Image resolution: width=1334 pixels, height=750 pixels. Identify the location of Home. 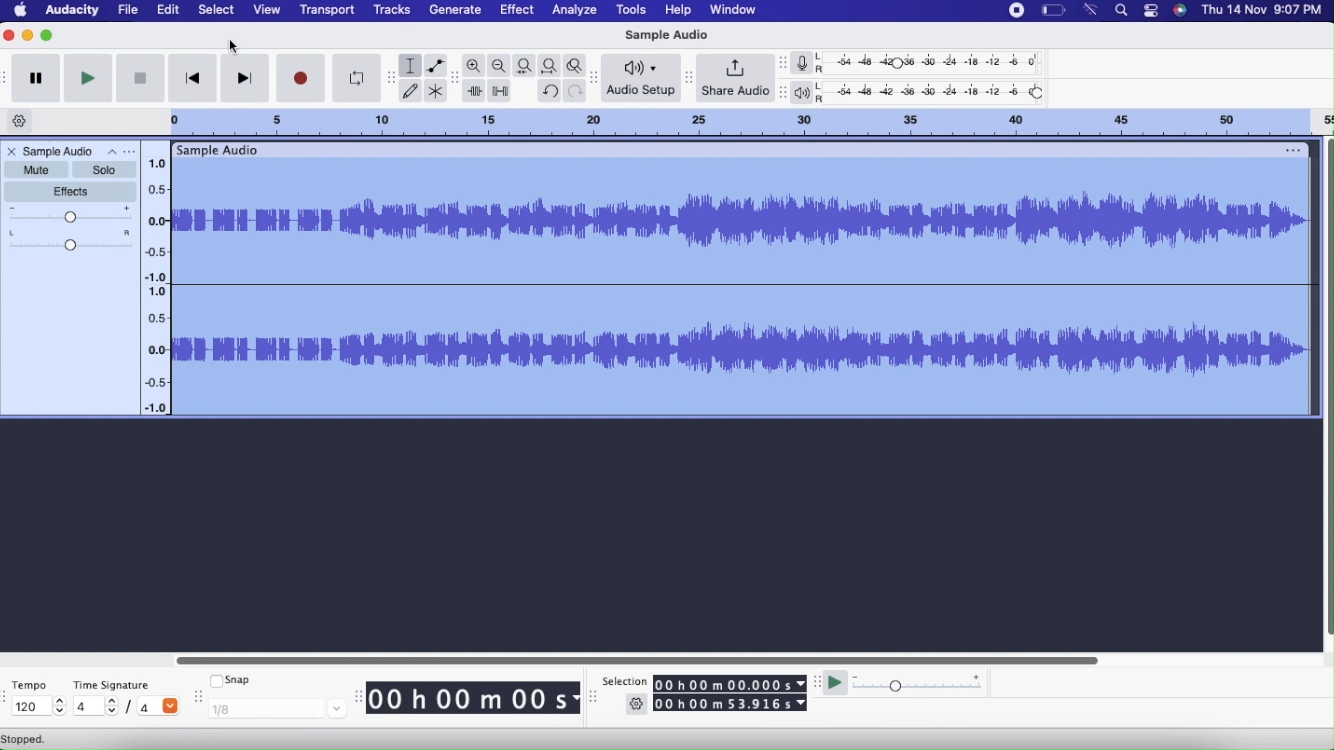
(22, 11).